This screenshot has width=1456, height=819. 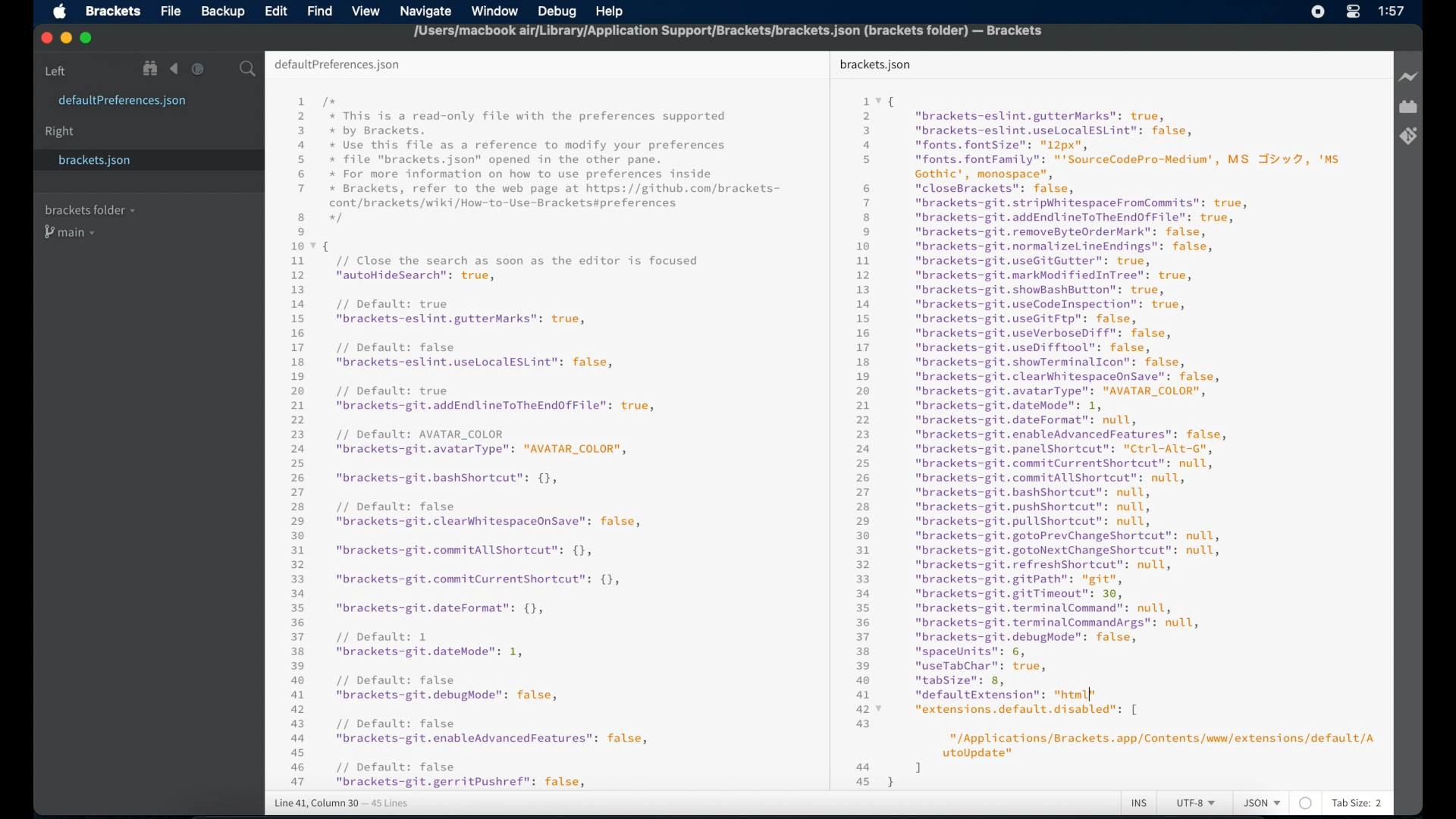 I want to click on brackets, so click(x=114, y=11).